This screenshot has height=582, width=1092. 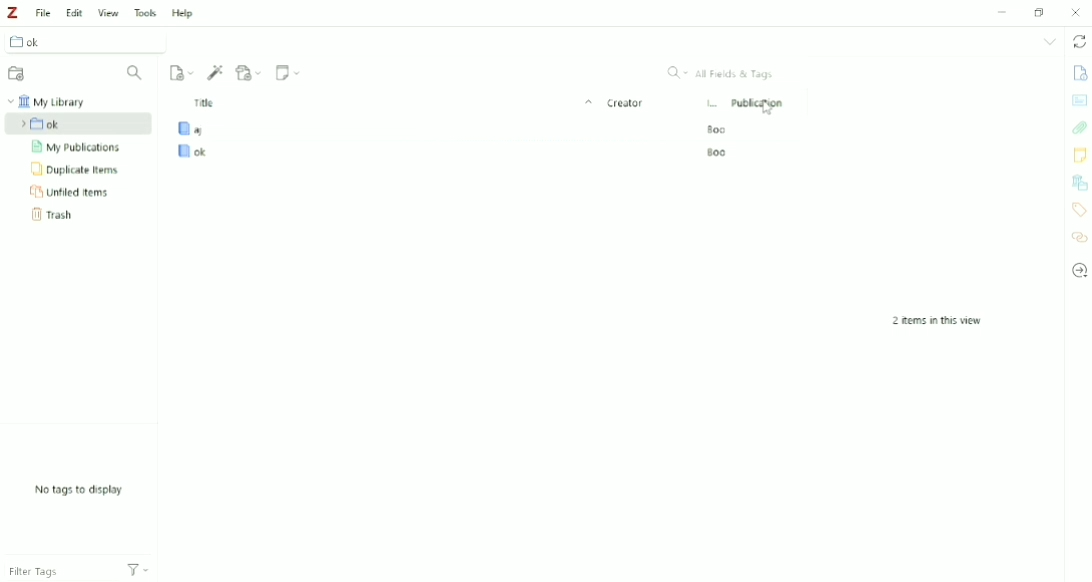 I want to click on List all tabs, so click(x=1049, y=42).